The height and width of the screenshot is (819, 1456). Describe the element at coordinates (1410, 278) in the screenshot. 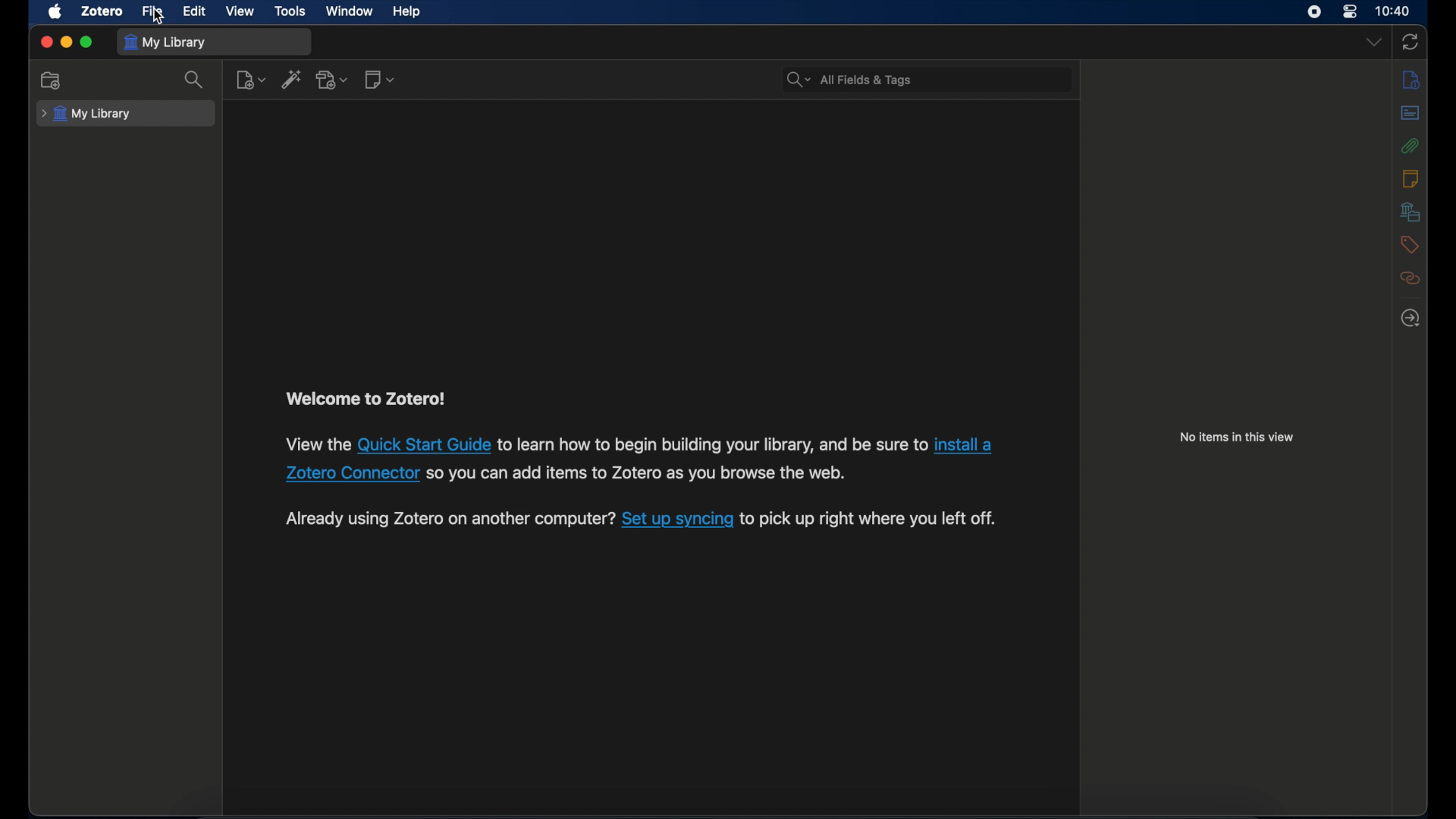

I see `related` at that location.